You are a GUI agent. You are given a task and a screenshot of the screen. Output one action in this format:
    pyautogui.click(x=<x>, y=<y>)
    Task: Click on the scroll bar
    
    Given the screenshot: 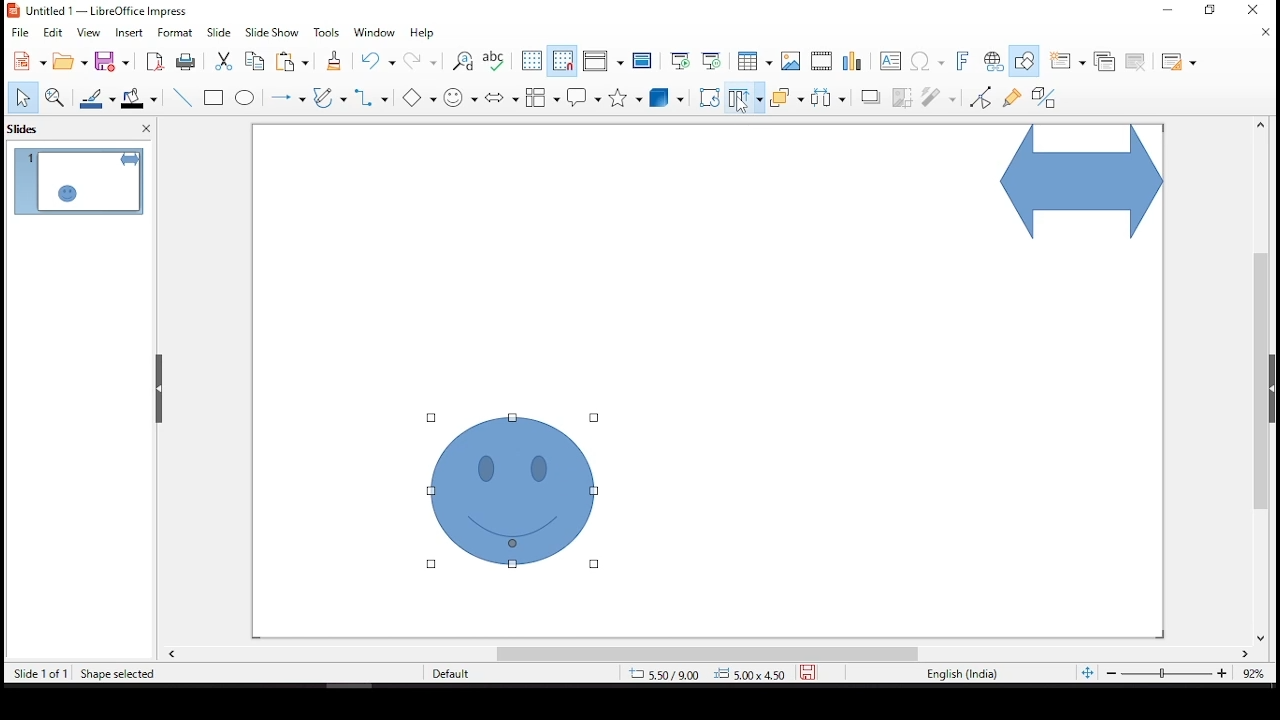 What is the action you would take?
    pyautogui.click(x=707, y=654)
    